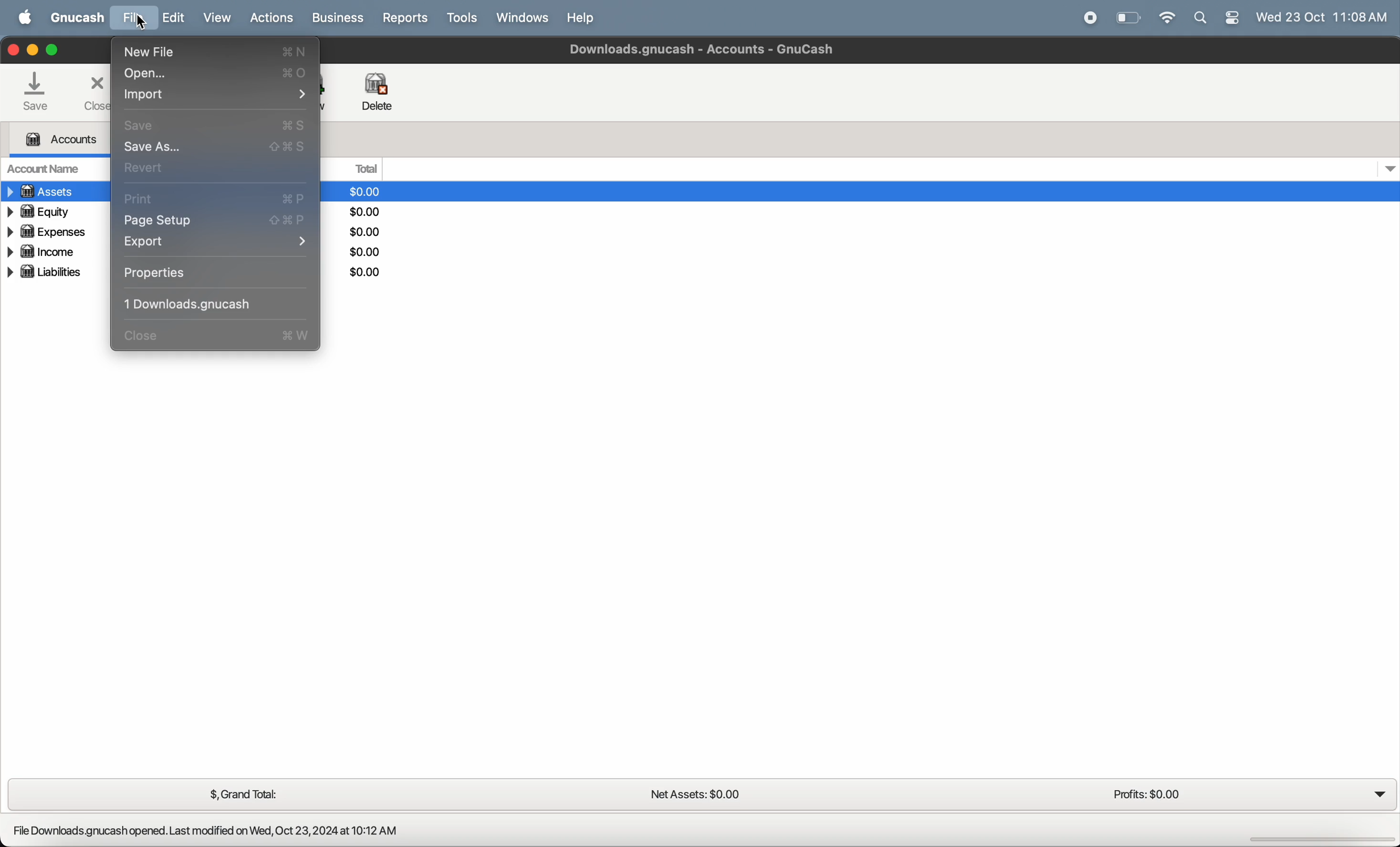 This screenshot has height=847, width=1400. Describe the element at coordinates (214, 148) in the screenshot. I see `save as` at that location.